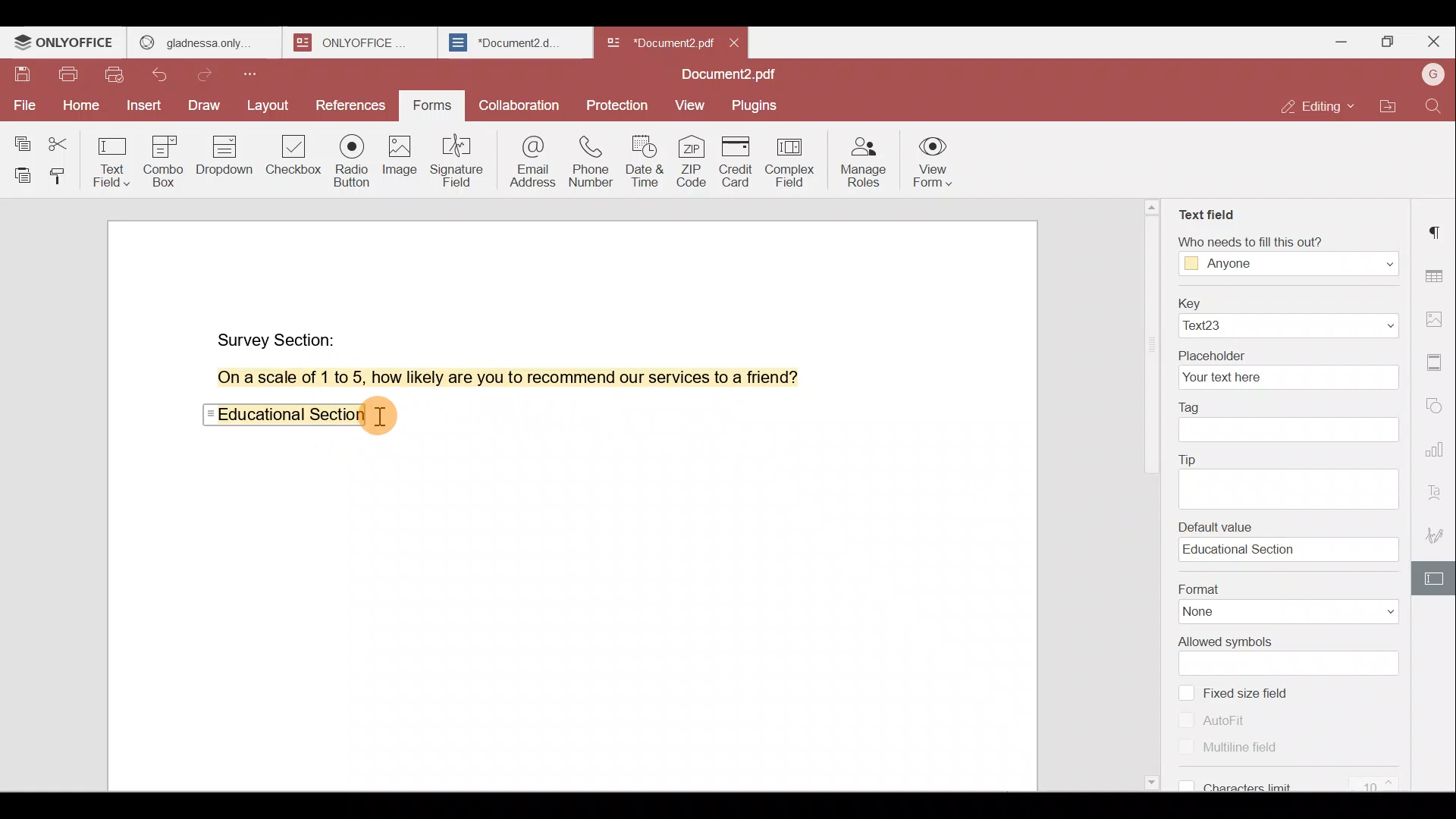 The height and width of the screenshot is (819, 1456). Describe the element at coordinates (1291, 656) in the screenshot. I see `Allowed symbols` at that location.